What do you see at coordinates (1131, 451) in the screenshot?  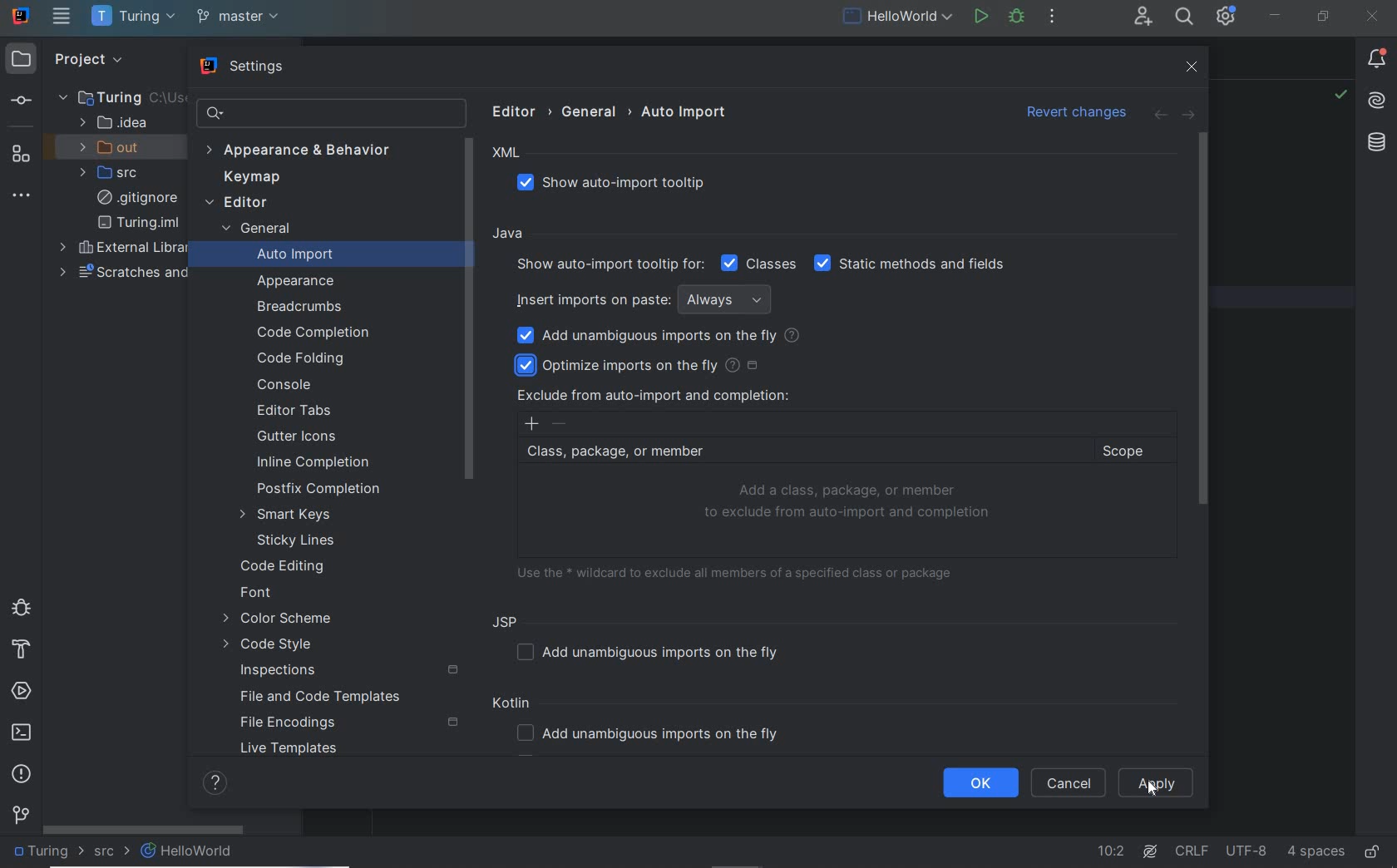 I see `SCOPE` at bounding box center [1131, 451].